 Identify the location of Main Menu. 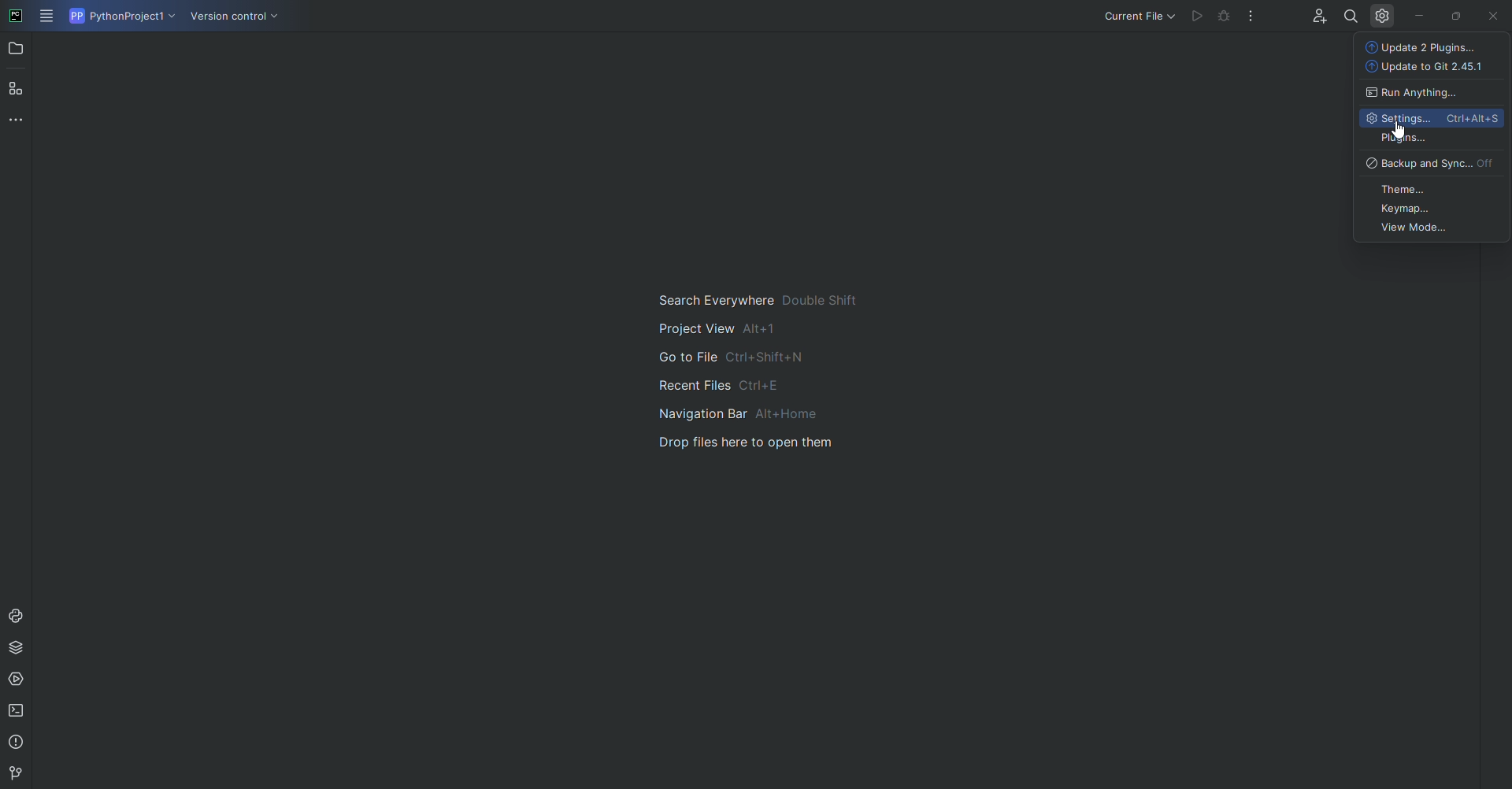
(48, 17).